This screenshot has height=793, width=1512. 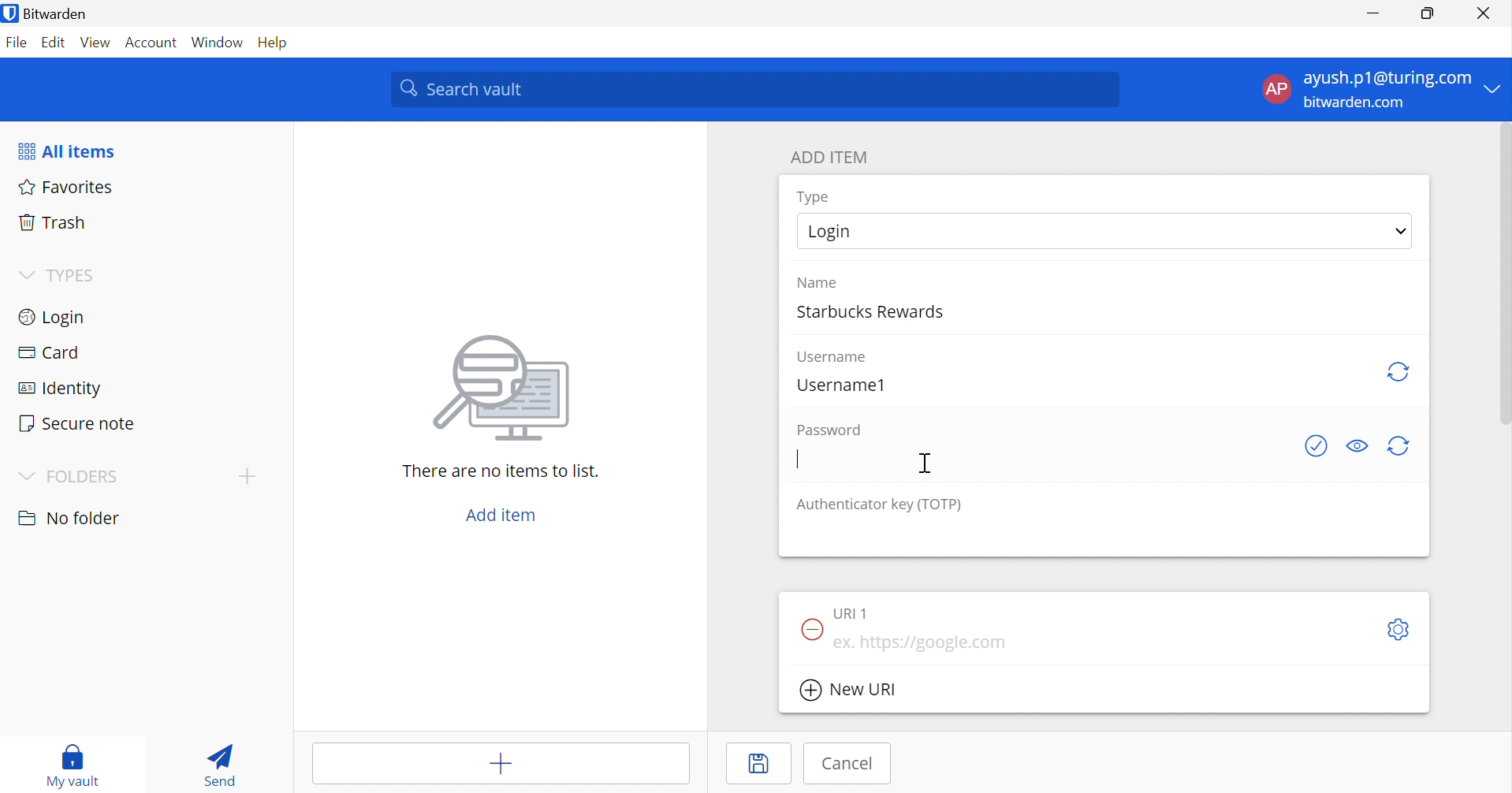 What do you see at coordinates (843, 384) in the screenshot?
I see `Username1` at bounding box center [843, 384].